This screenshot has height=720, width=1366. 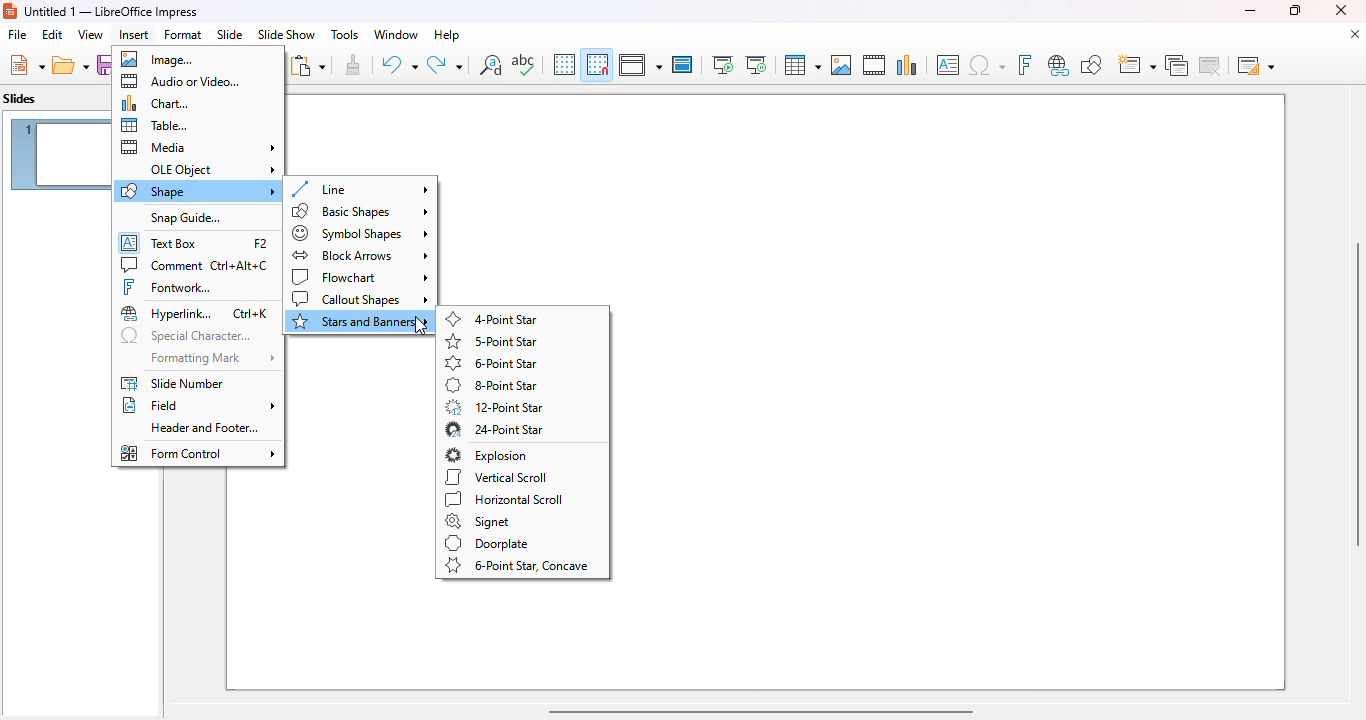 What do you see at coordinates (195, 241) in the screenshot?
I see `text box` at bounding box center [195, 241].